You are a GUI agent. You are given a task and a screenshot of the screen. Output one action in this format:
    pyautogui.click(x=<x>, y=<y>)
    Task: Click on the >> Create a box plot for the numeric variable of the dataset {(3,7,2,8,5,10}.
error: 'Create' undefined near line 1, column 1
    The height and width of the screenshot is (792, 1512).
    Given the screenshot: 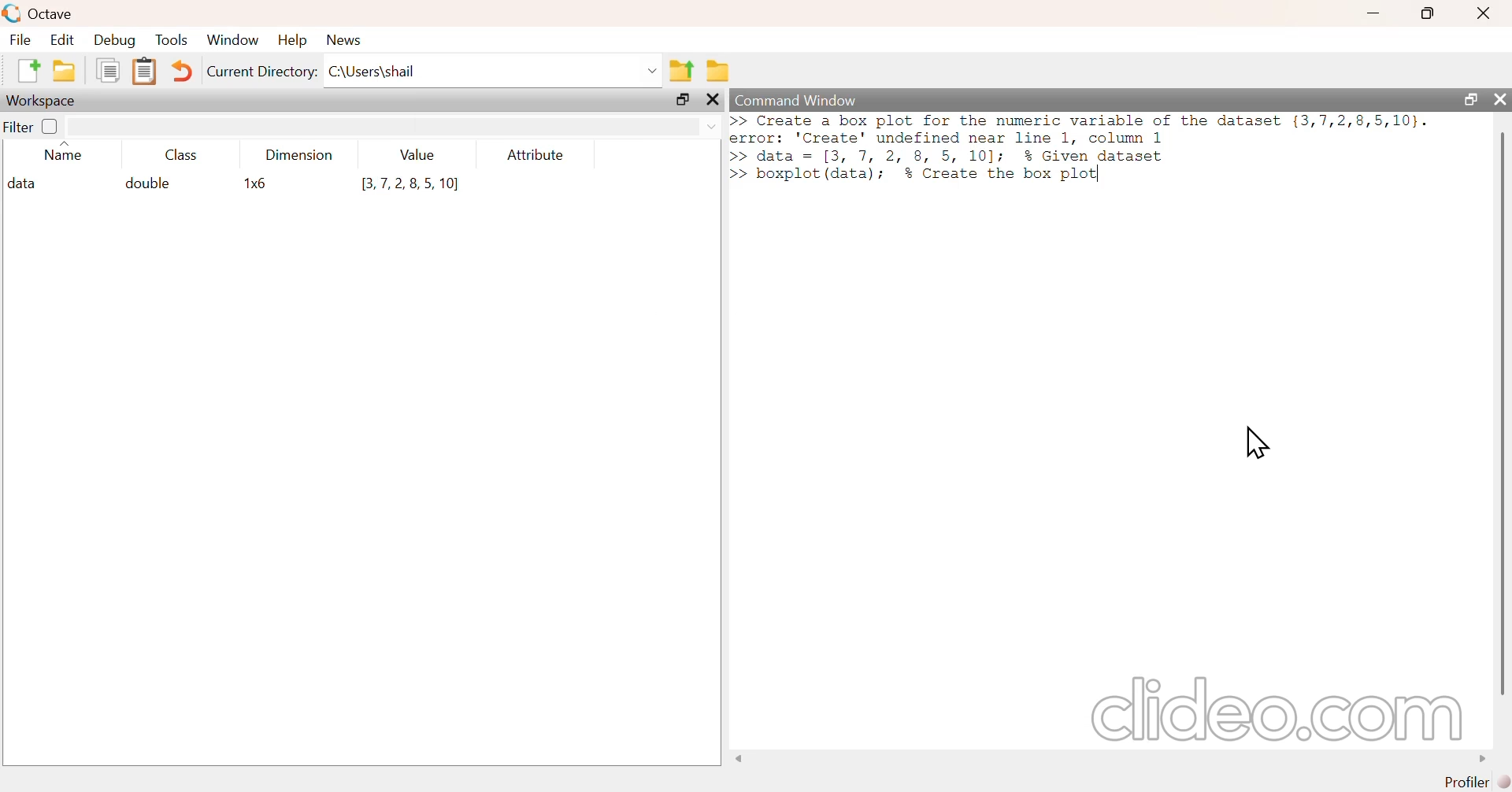 What is the action you would take?
    pyautogui.click(x=1084, y=128)
    